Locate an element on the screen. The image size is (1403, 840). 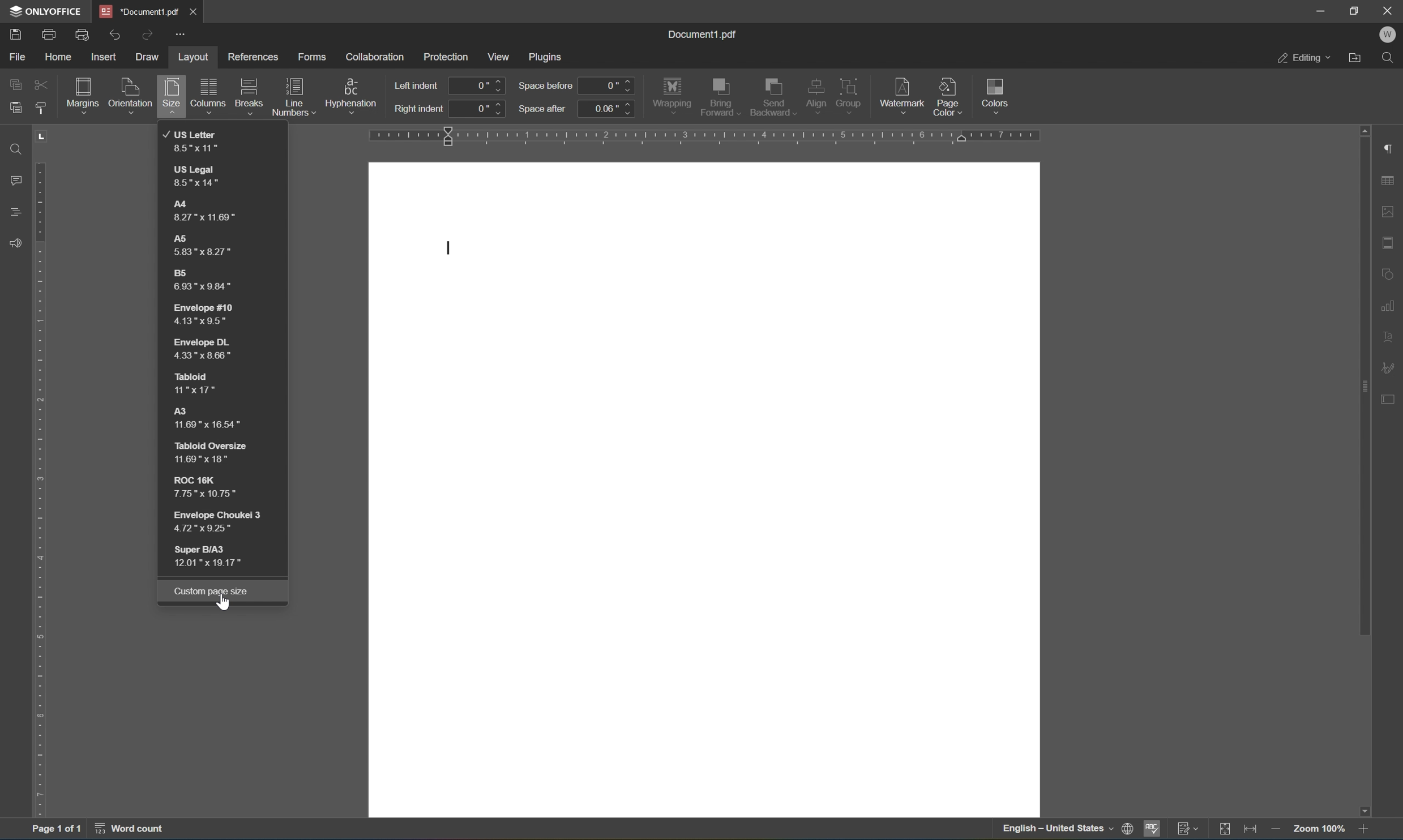
file is located at coordinates (18, 56).